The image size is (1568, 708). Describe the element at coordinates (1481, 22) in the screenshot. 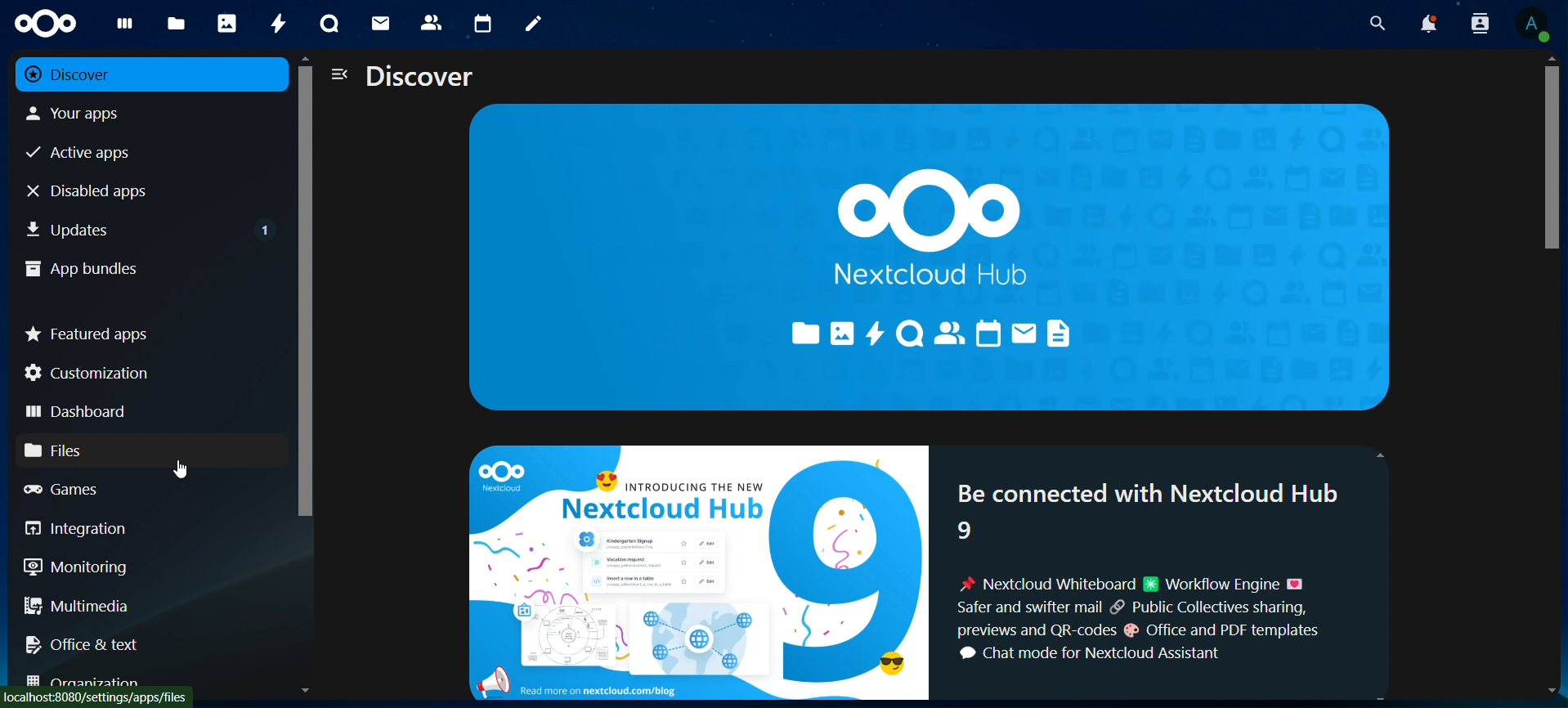

I see `search profile` at that location.